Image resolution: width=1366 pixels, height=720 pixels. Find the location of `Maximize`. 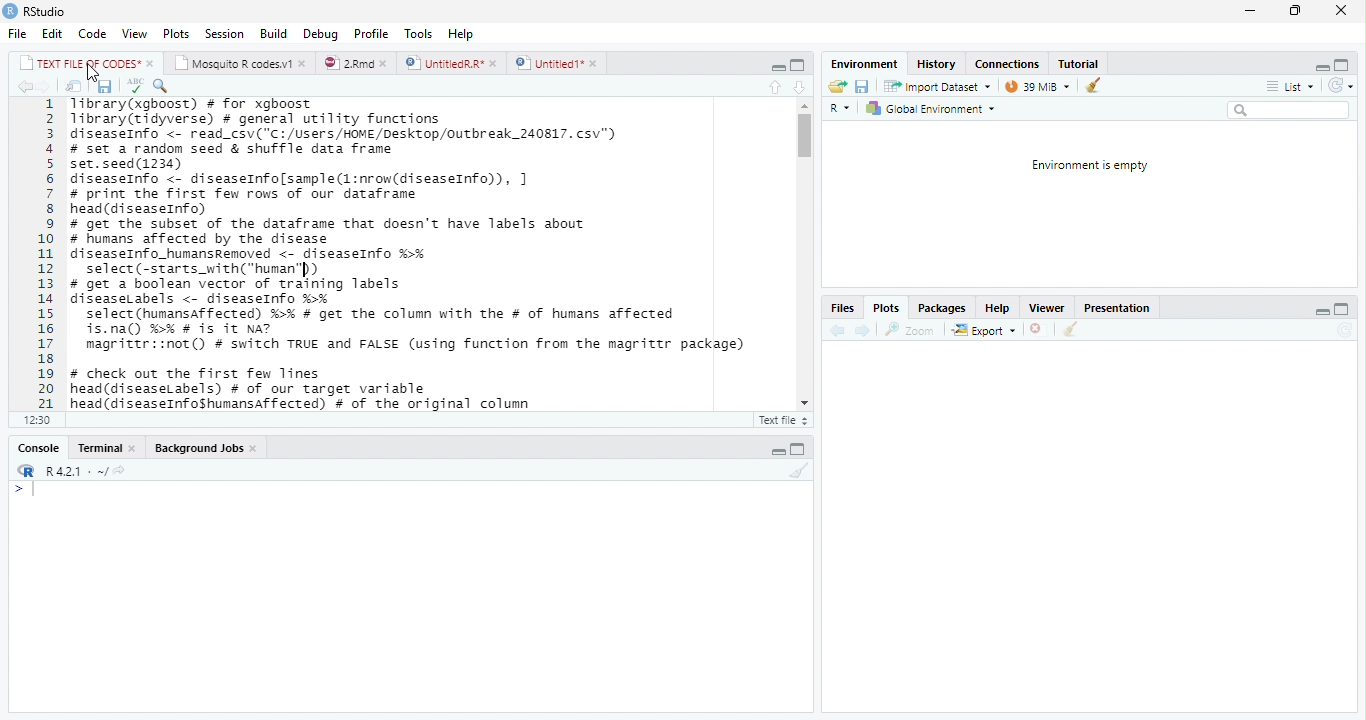

Maximize is located at coordinates (797, 63).